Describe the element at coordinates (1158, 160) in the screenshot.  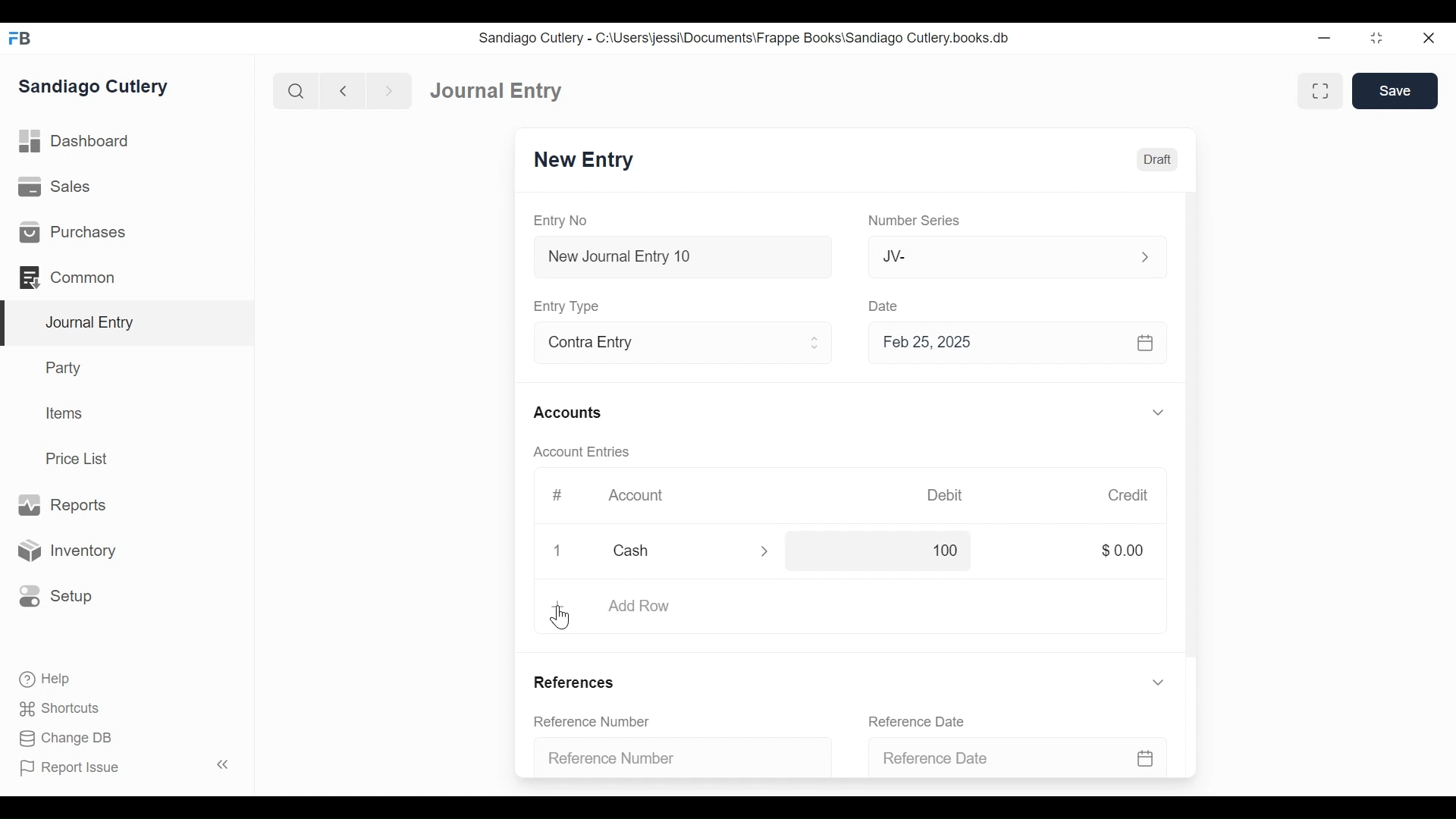
I see `Draft` at that location.